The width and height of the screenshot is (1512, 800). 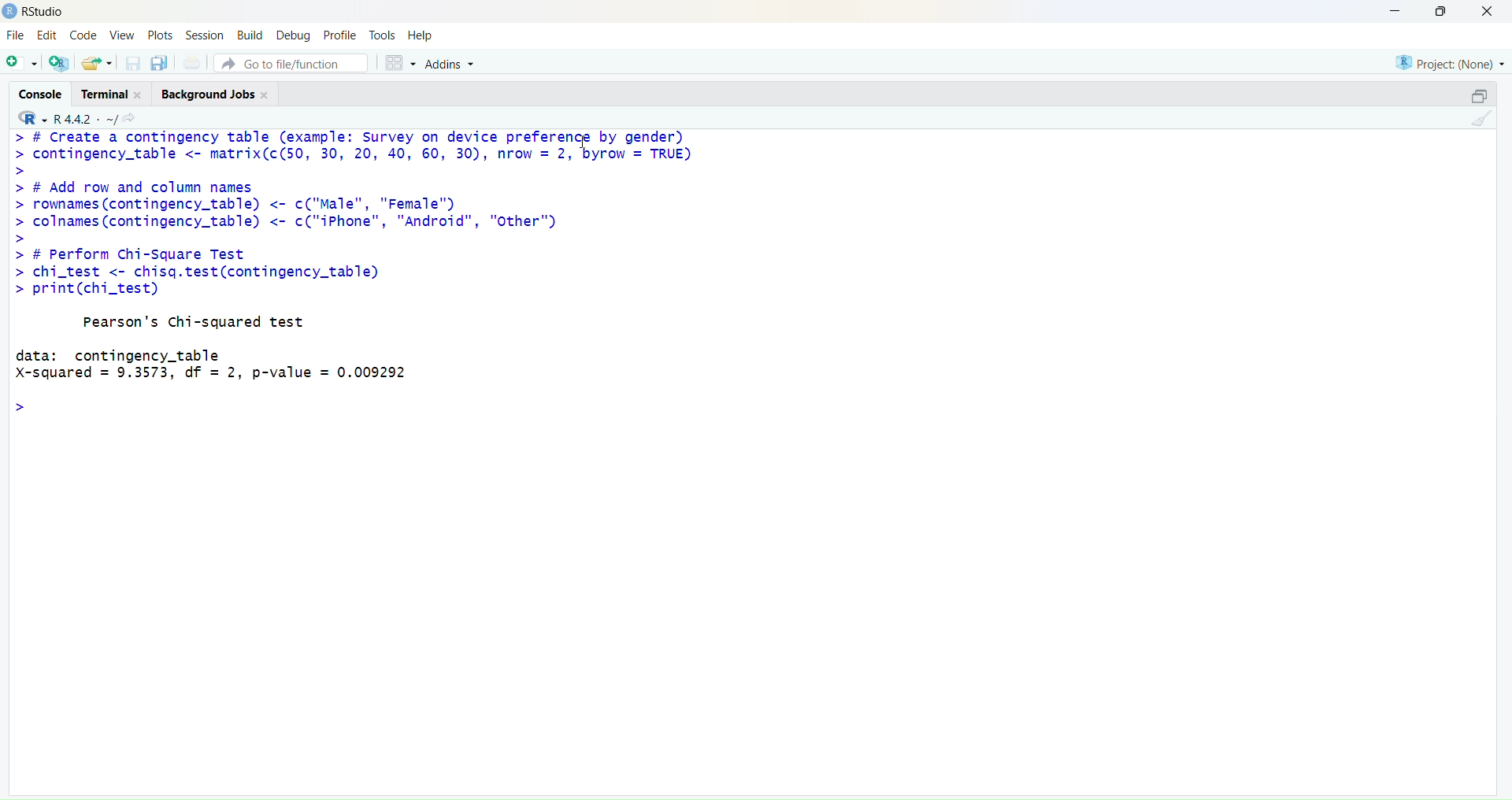 I want to click on R, so click(x=32, y=117).